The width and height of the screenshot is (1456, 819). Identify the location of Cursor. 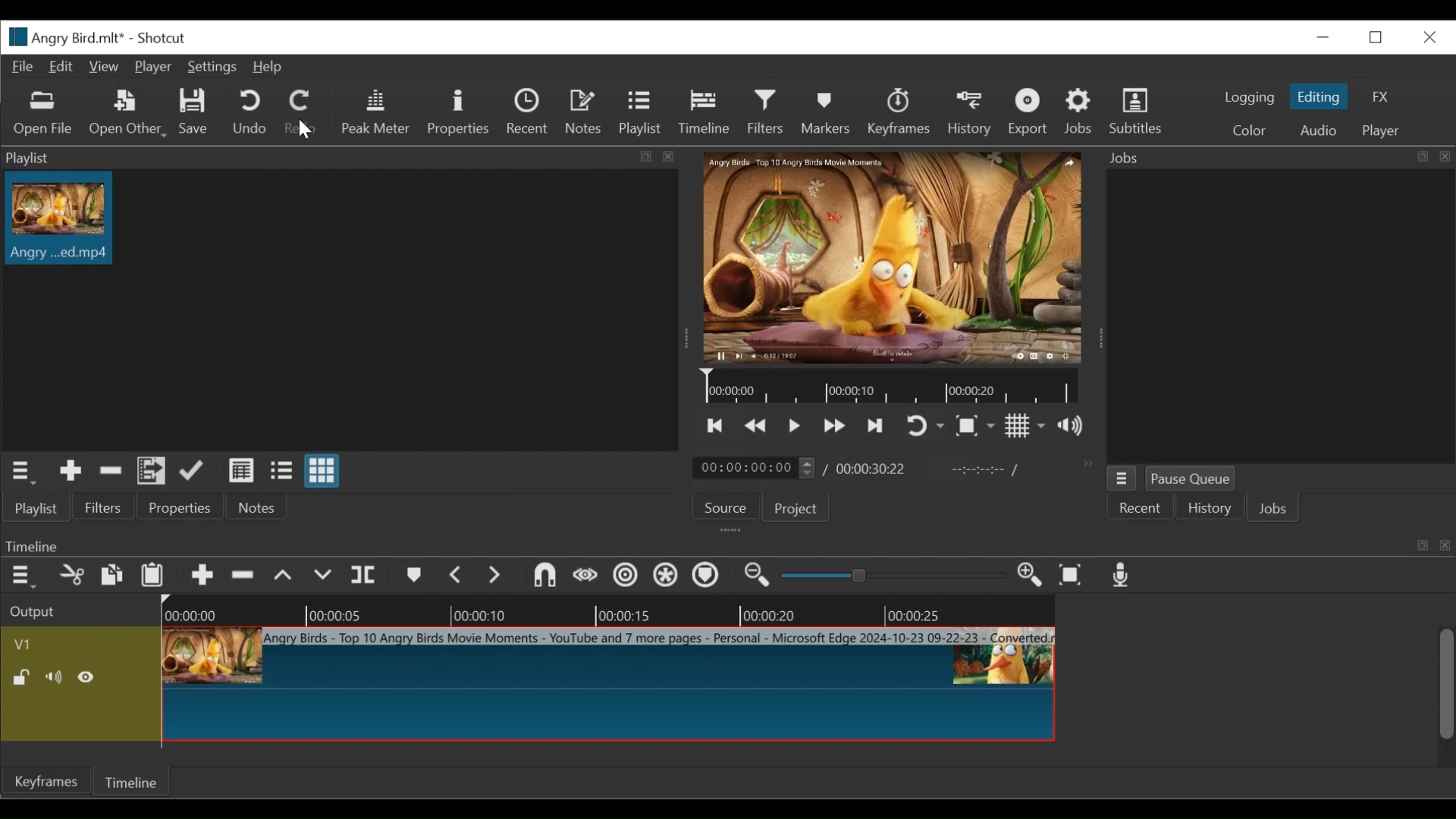
(299, 130).